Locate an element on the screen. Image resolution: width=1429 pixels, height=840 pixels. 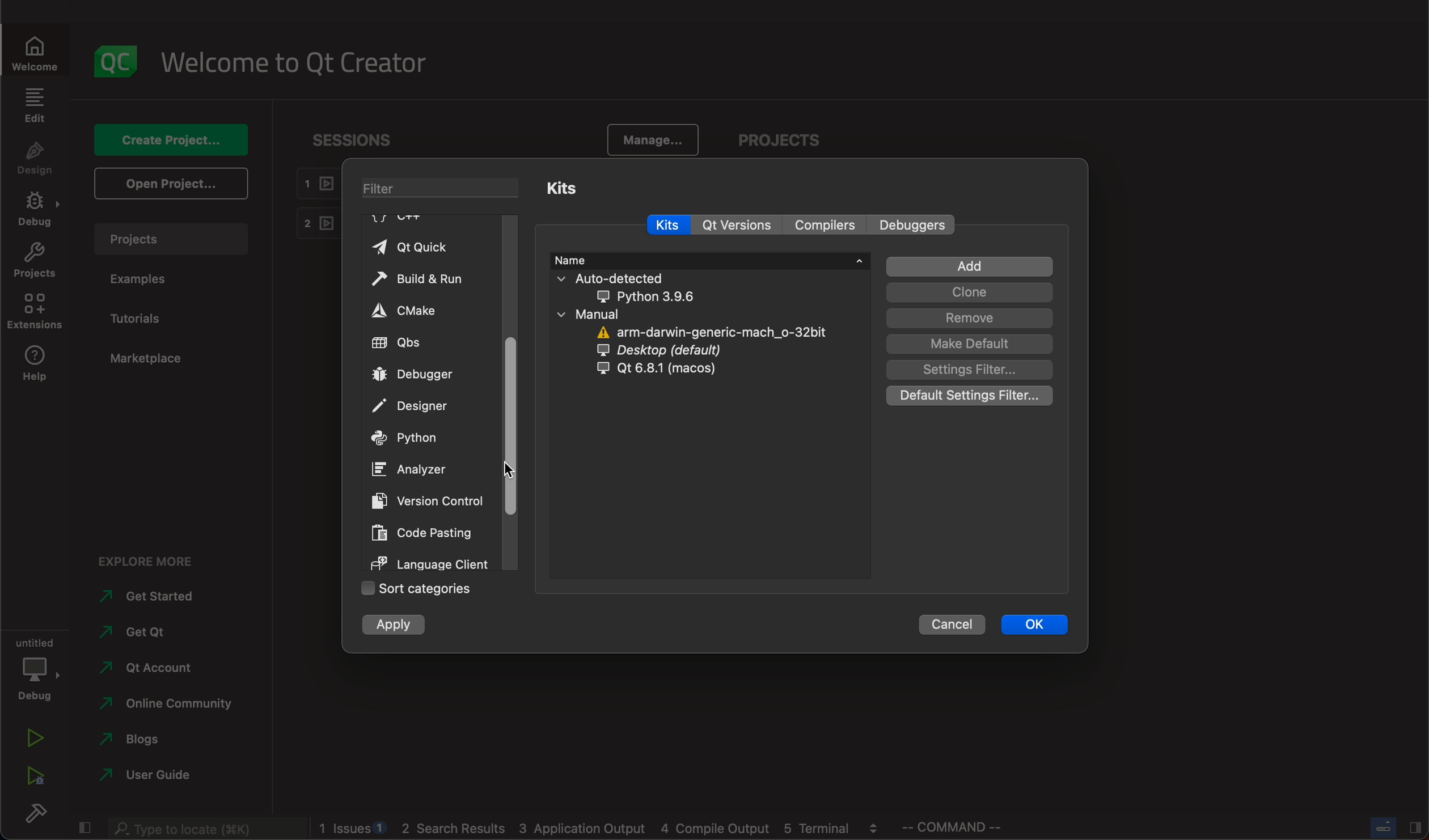
debugger is located at coordinates (420, 377).